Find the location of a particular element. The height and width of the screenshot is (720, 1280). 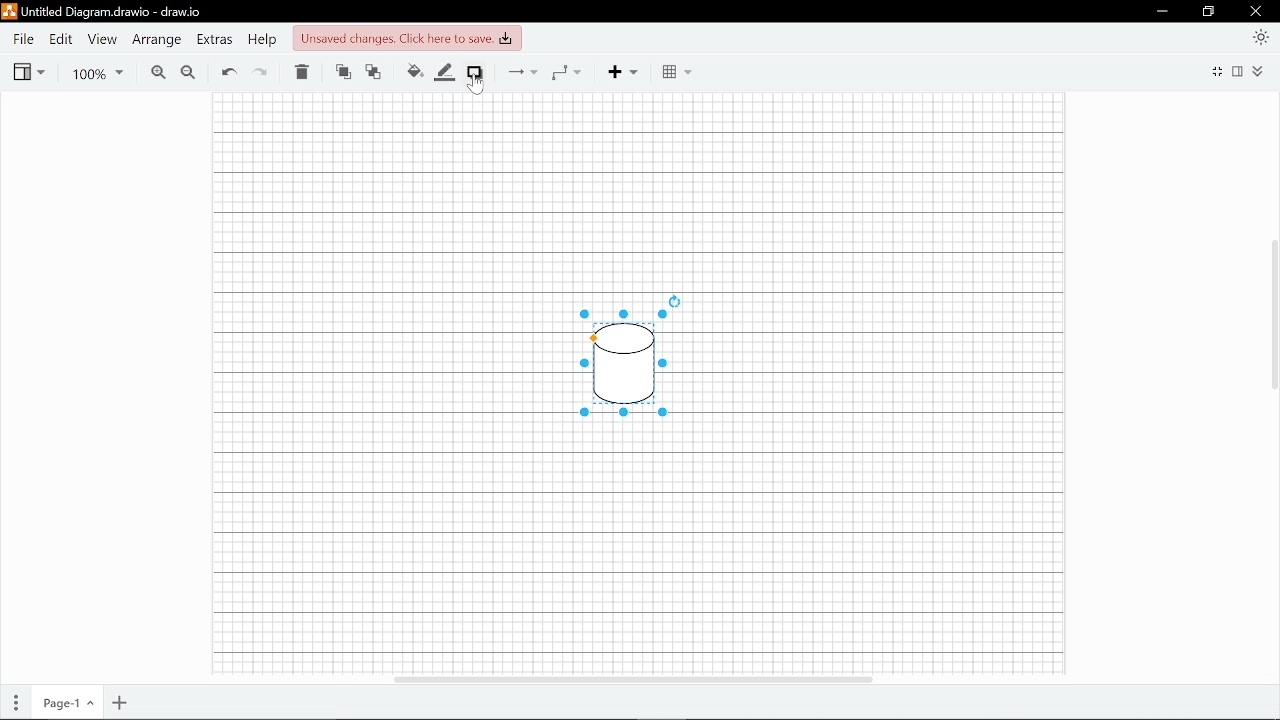

Edit is located at coordinates (62, 40).